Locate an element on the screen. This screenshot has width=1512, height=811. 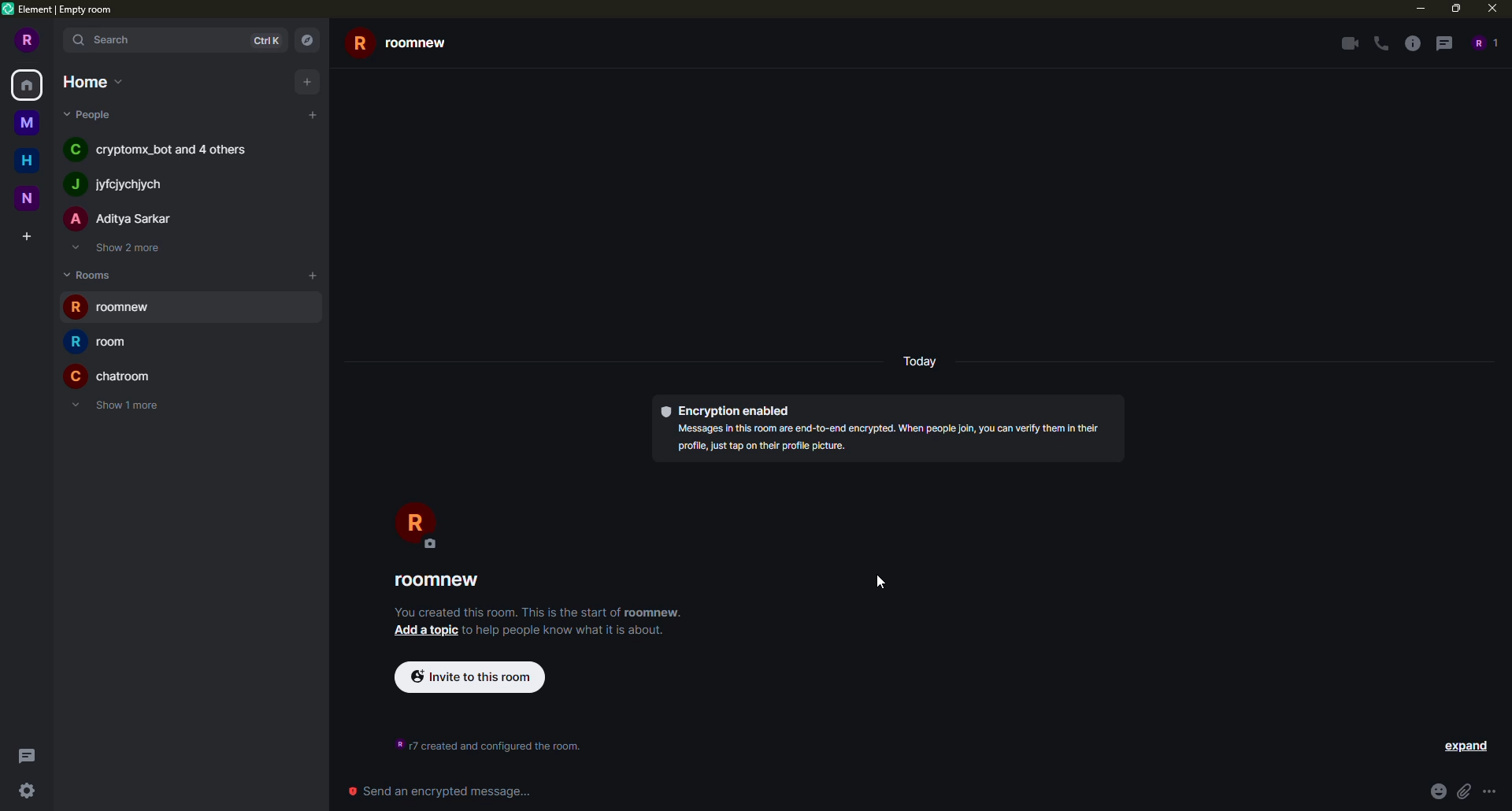
space is located at coordinates (29, 197).